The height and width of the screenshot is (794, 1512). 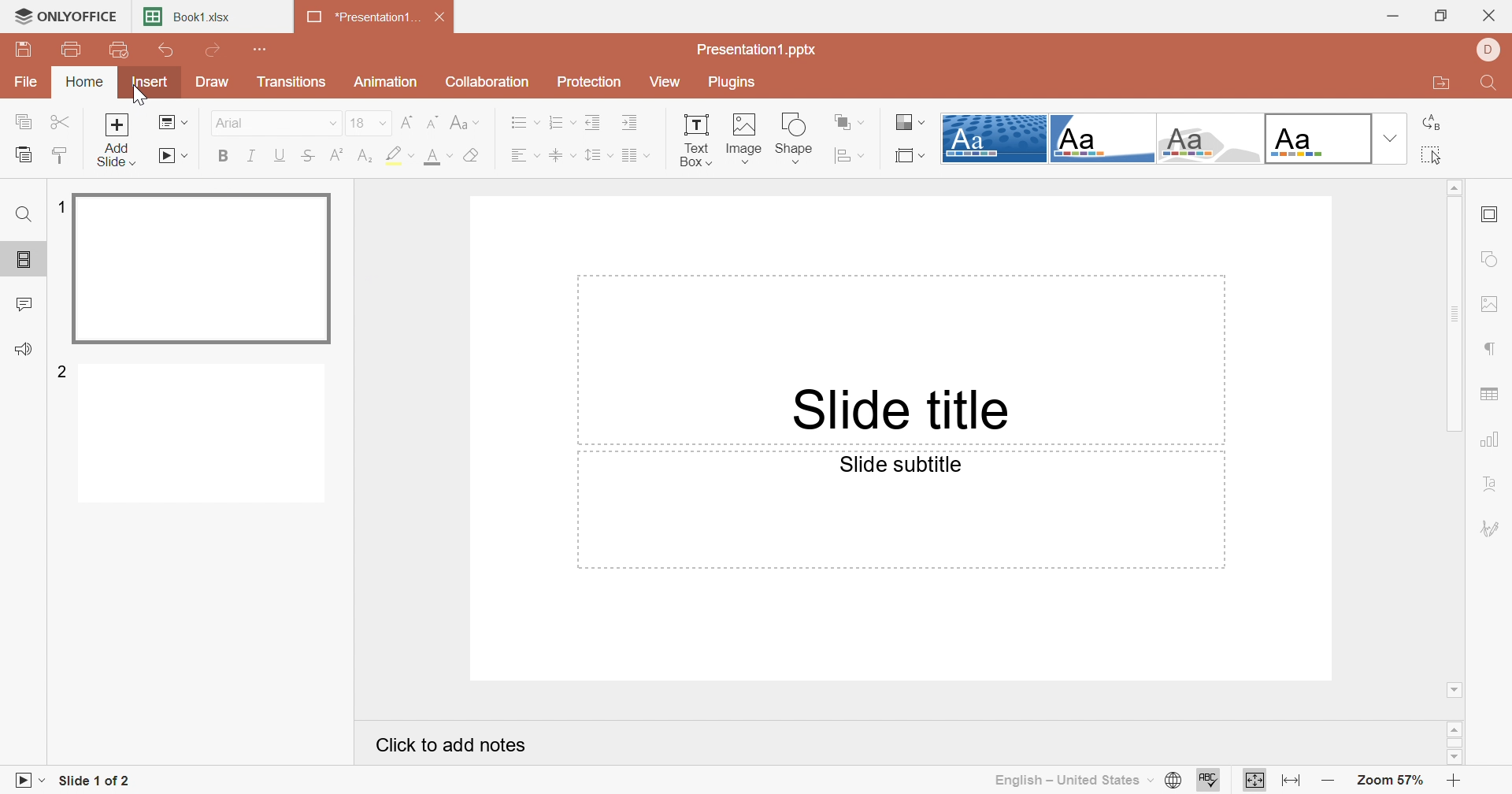 What do you see at coordinates (1171, 781) in the screenshot?
I see `Set document language` at bounding box center [1171, 781].